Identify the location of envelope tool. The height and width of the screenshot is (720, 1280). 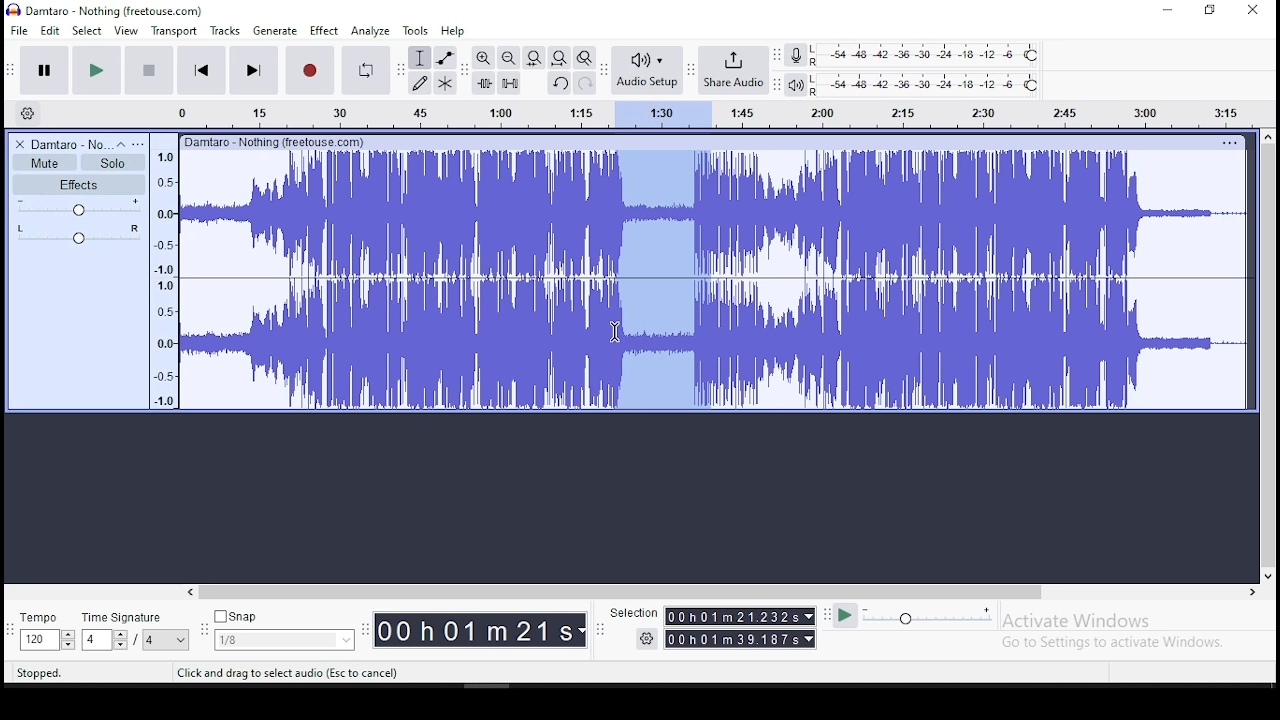
(444, 57).